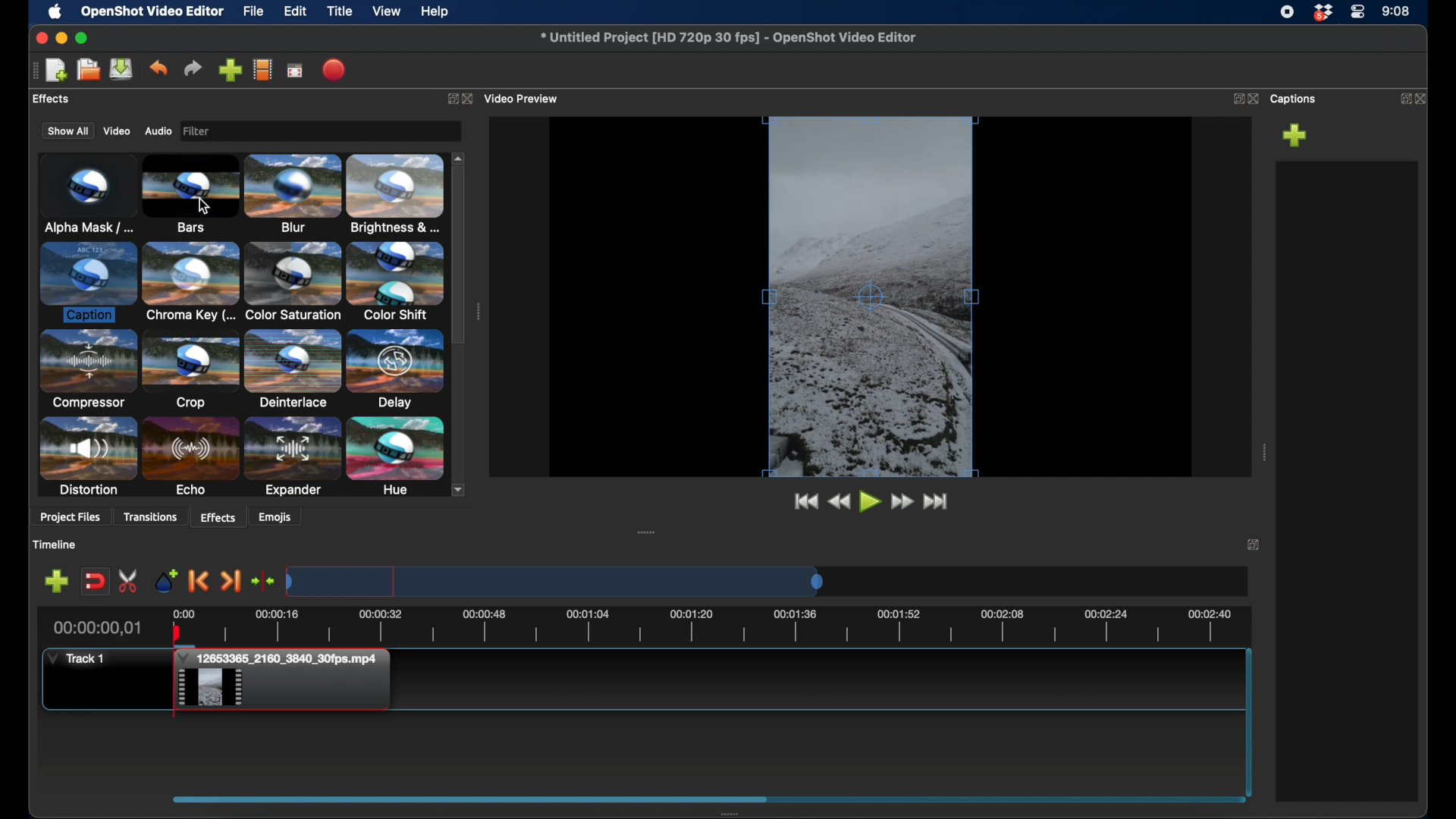 Image resolution: width=1456 pixels, height=819 pixels. Describe the element at coordinates (525, 97) in the screenshot. I see `video preview` at that location.